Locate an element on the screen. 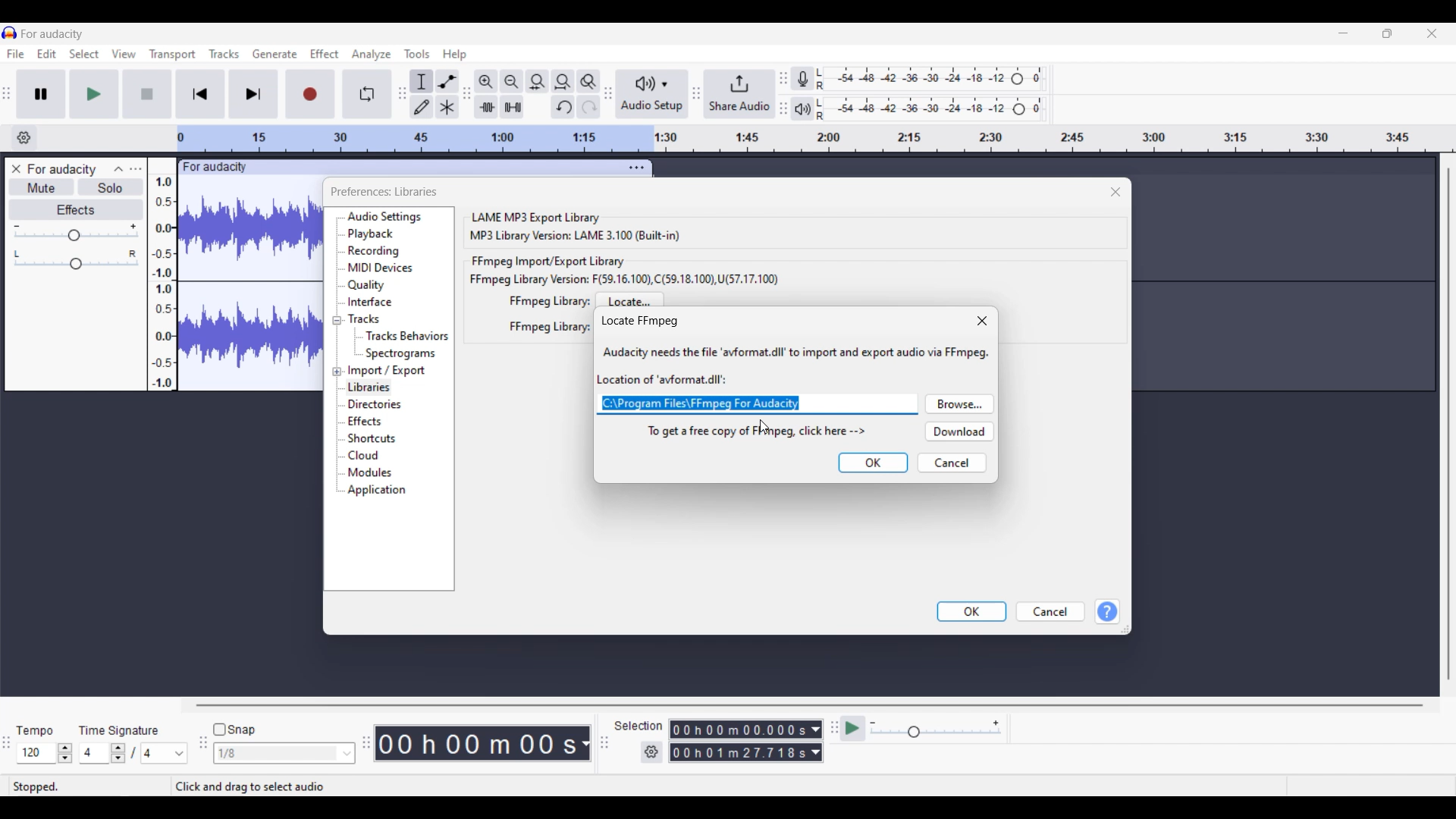  Play/Play once is located at coordinates (94, 94).